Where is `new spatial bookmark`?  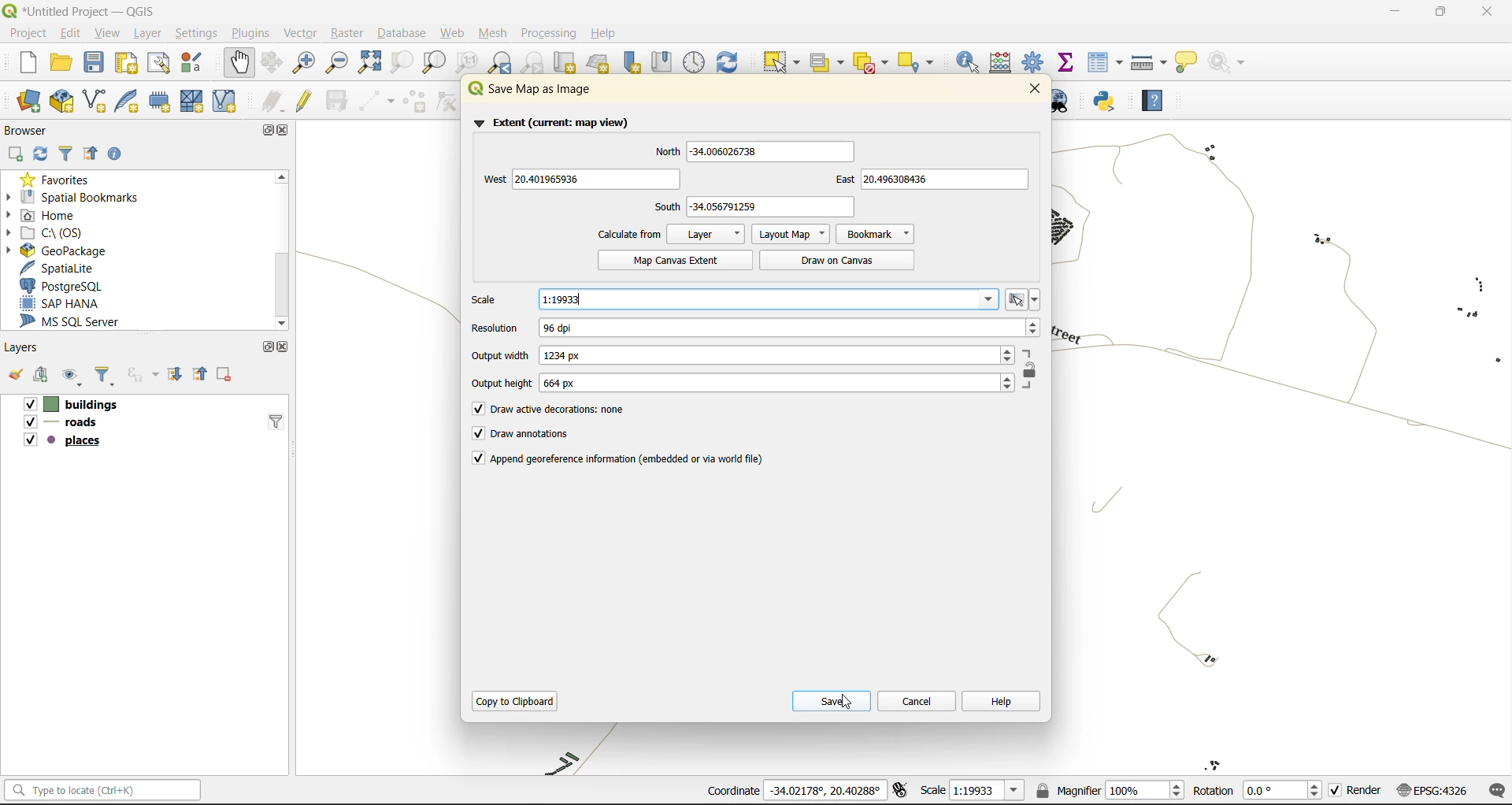
new spatial bookmark is located at coordinates (632, 62).